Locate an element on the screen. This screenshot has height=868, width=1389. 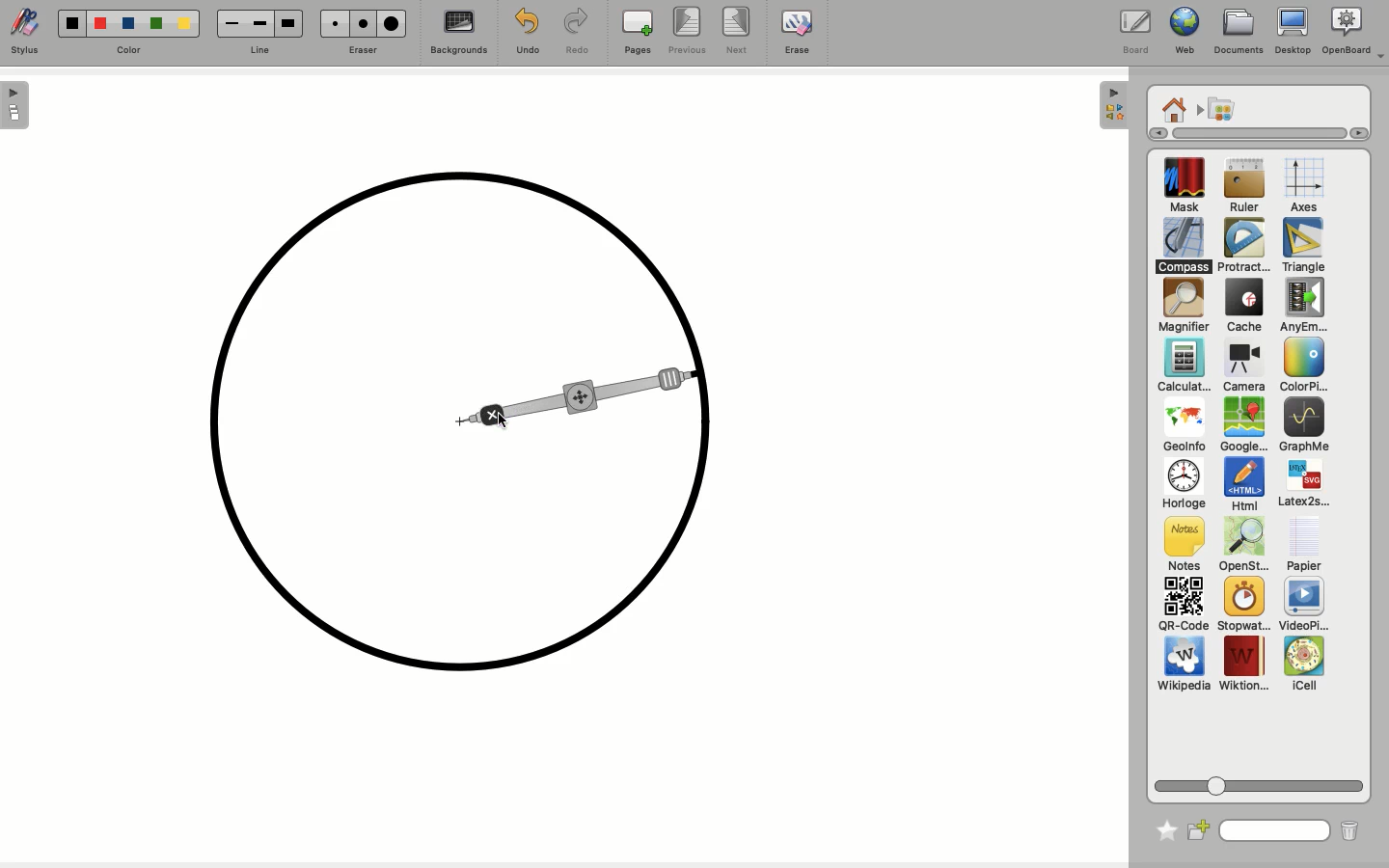
Search is located at coordinates (1275, 828).